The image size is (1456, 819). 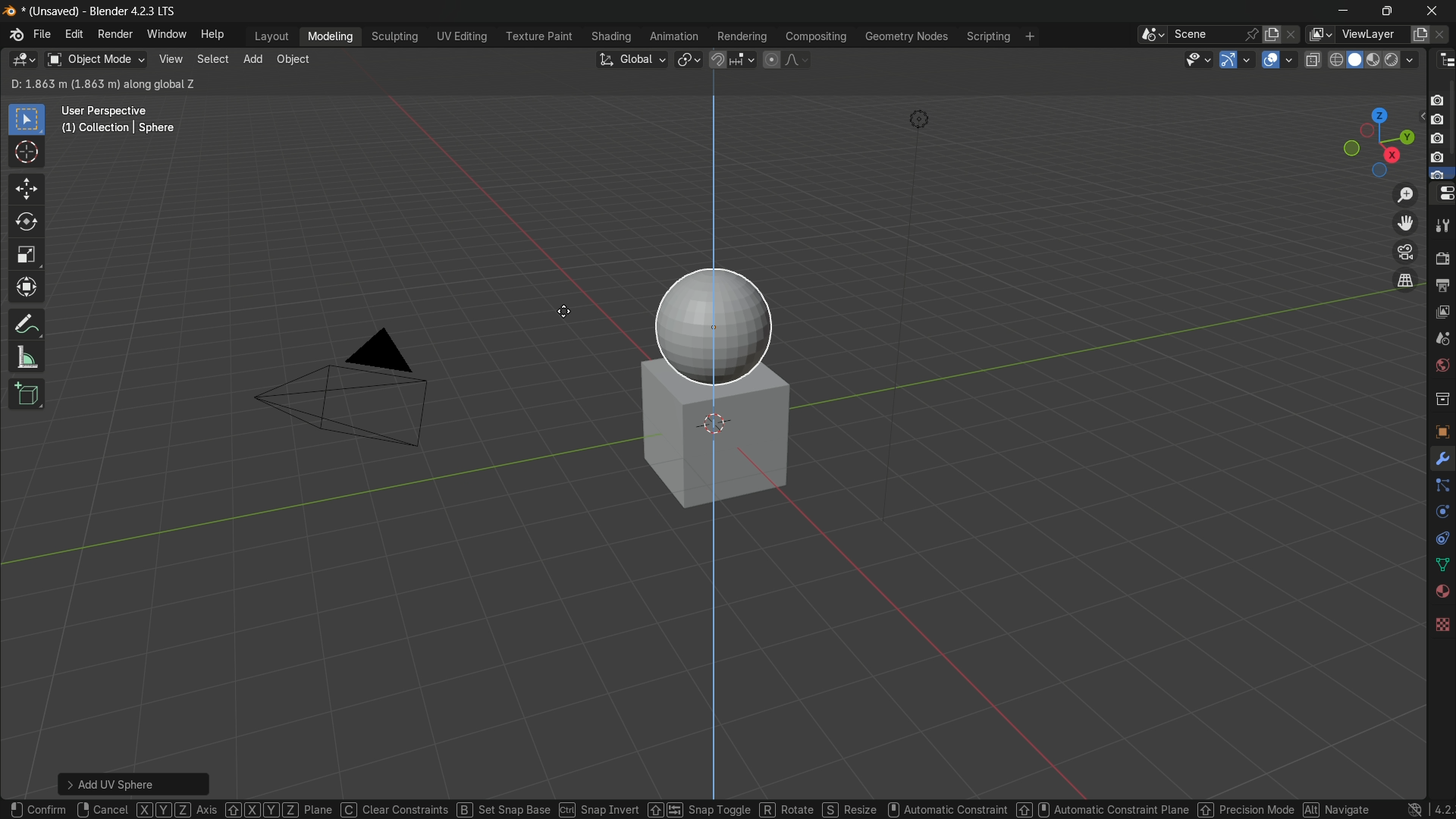 What do you see at coordinates (1203, 35) in the screenshot?
I see `scene name` at bounding box center [1203, 35].